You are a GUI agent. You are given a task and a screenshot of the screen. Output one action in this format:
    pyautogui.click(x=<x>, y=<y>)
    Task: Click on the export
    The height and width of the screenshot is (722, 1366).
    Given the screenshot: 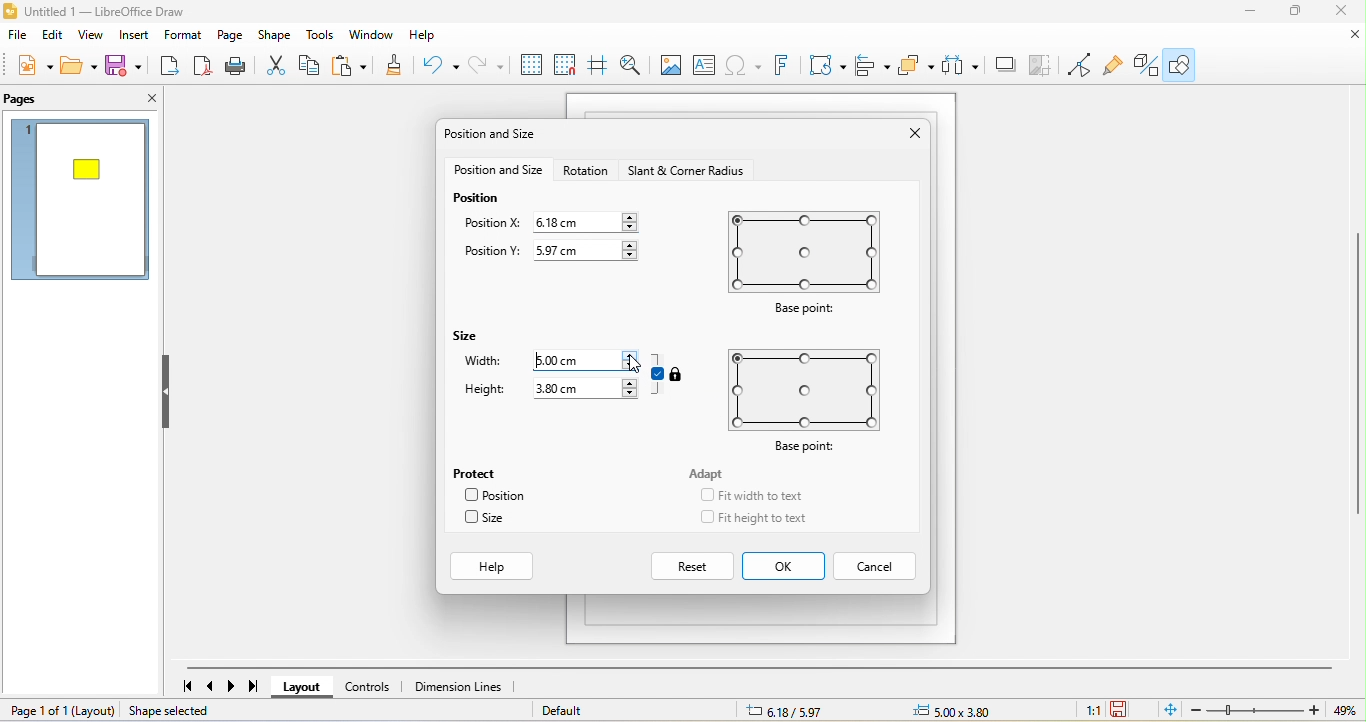 What is the action you would take?
    pyautogui.click(x=167, y=68)
    